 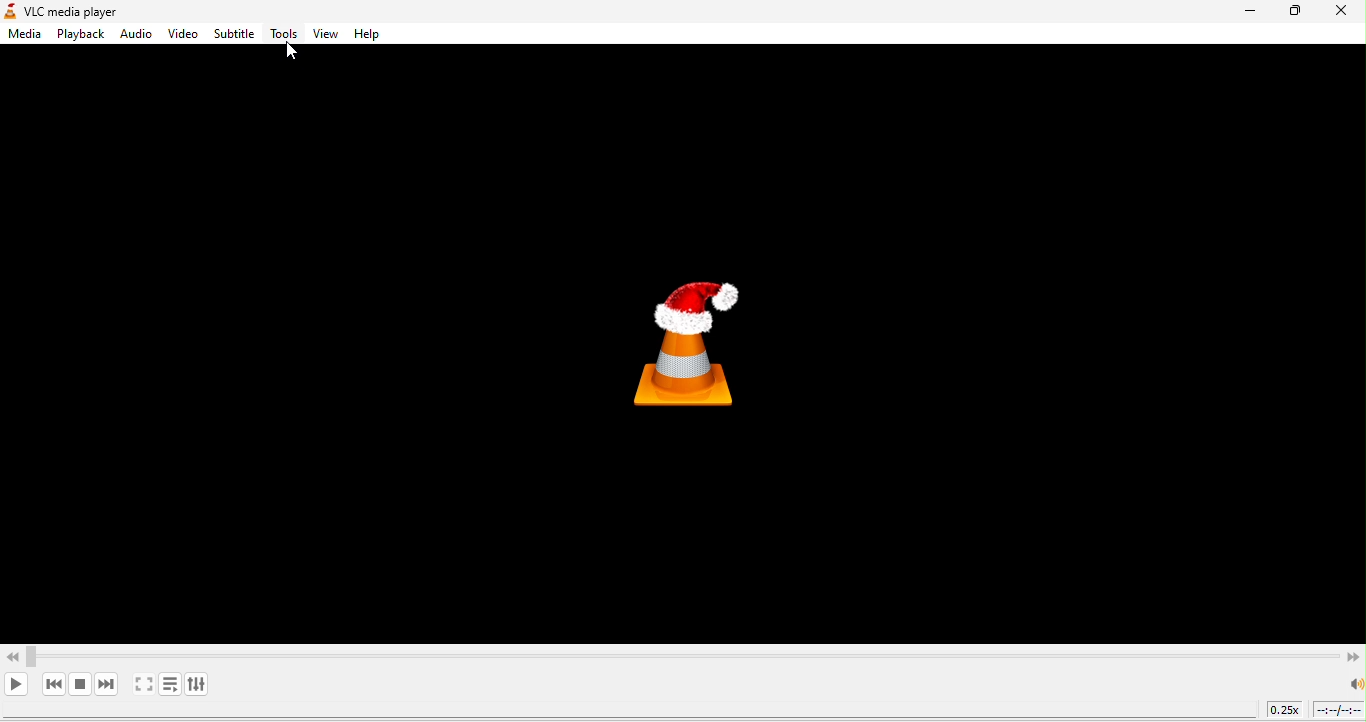 I want to click on close, so click(x=1344, y=13).